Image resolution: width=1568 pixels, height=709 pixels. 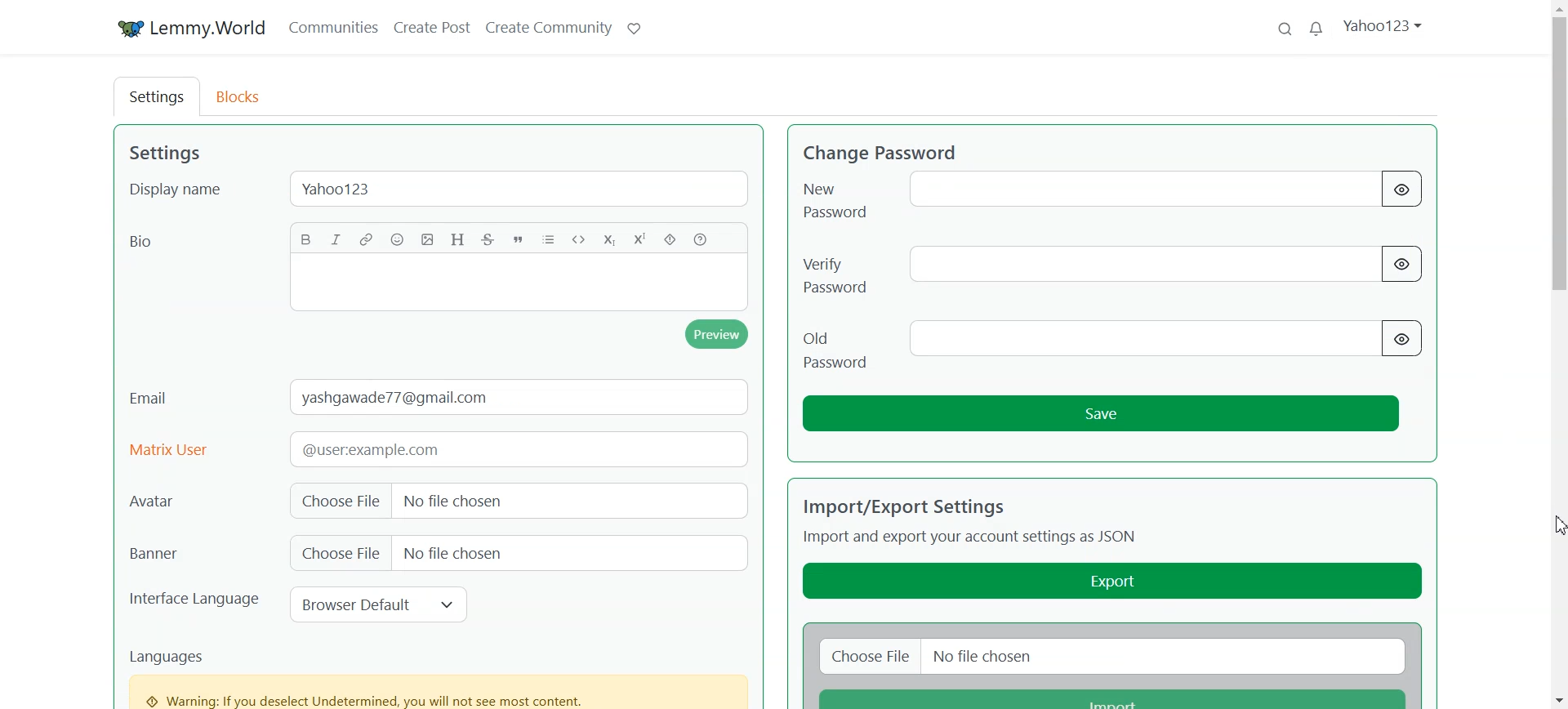 What do you see at coordinates (637, 238) in the screenshot?
I see `Superscript` at bounding box center [637, 238].